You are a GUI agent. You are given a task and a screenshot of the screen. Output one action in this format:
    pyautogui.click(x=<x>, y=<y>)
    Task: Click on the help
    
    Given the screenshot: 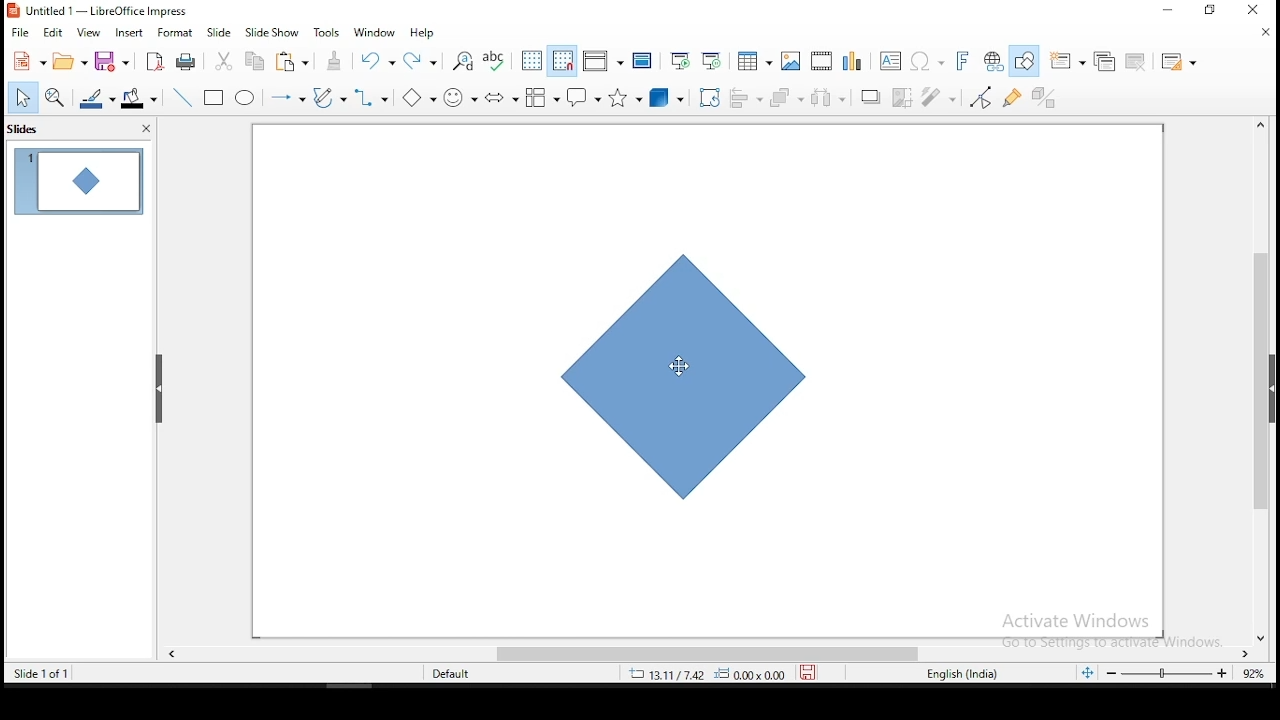 What is the action you would take?
    pyautogui.click(x=423, y=34)
    